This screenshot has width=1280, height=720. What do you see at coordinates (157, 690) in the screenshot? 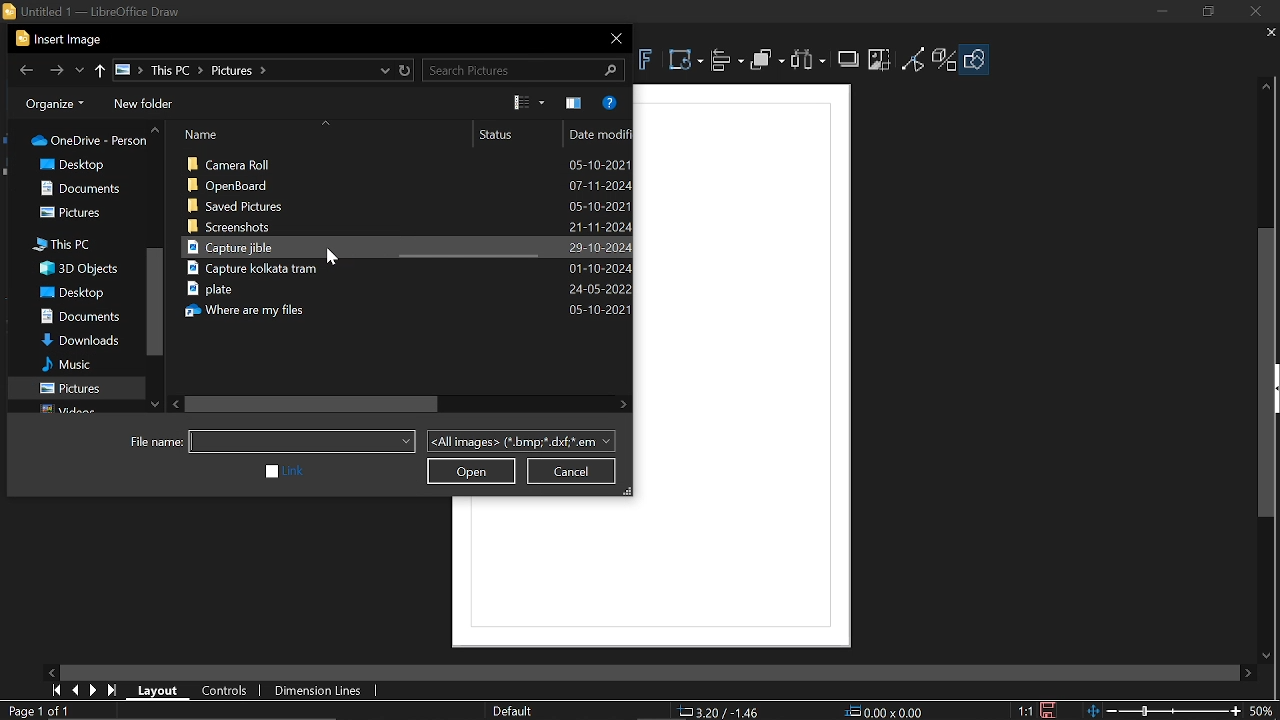
I see `Layout` at bounding box center [157, 690].